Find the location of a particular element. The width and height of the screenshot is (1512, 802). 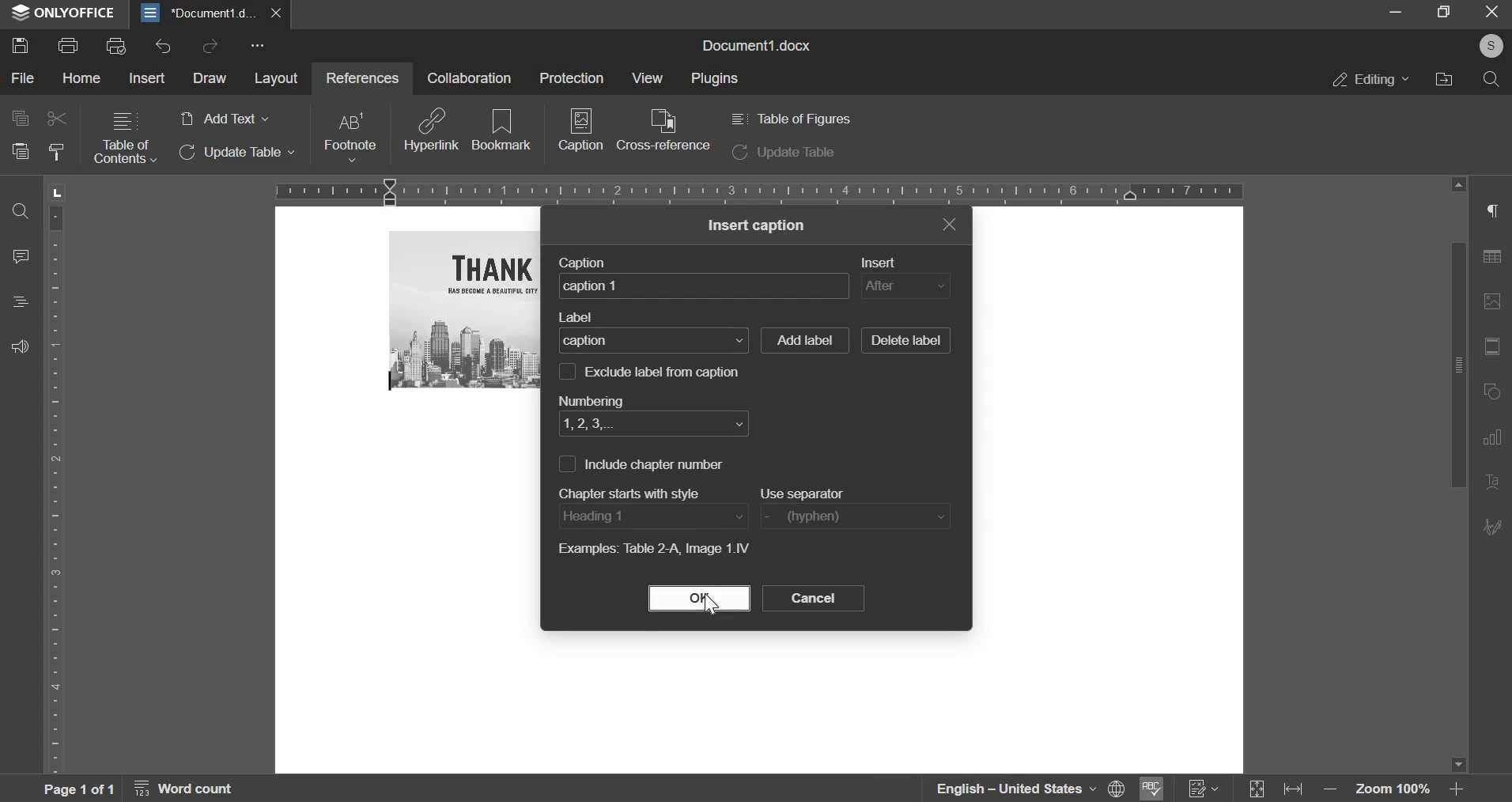

exit is located at coordinates (949, 223).